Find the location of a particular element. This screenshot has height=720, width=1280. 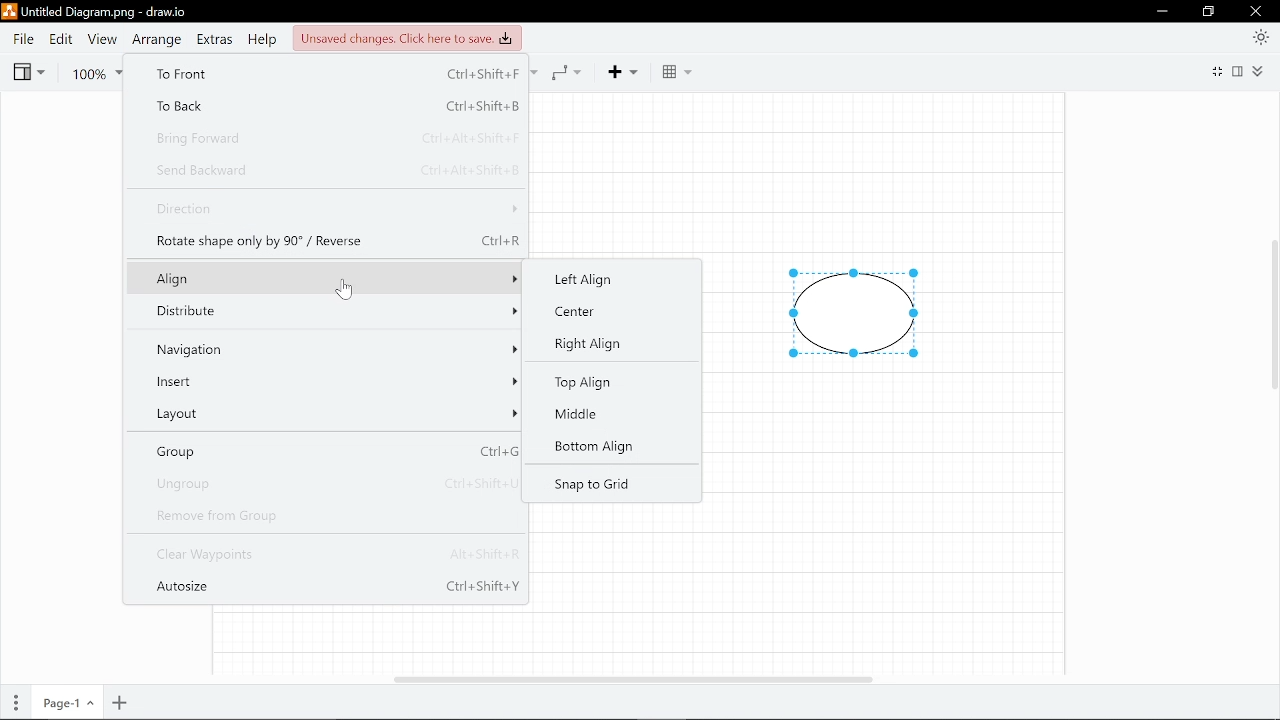

Appearance is located at coordinates (1262, 36).